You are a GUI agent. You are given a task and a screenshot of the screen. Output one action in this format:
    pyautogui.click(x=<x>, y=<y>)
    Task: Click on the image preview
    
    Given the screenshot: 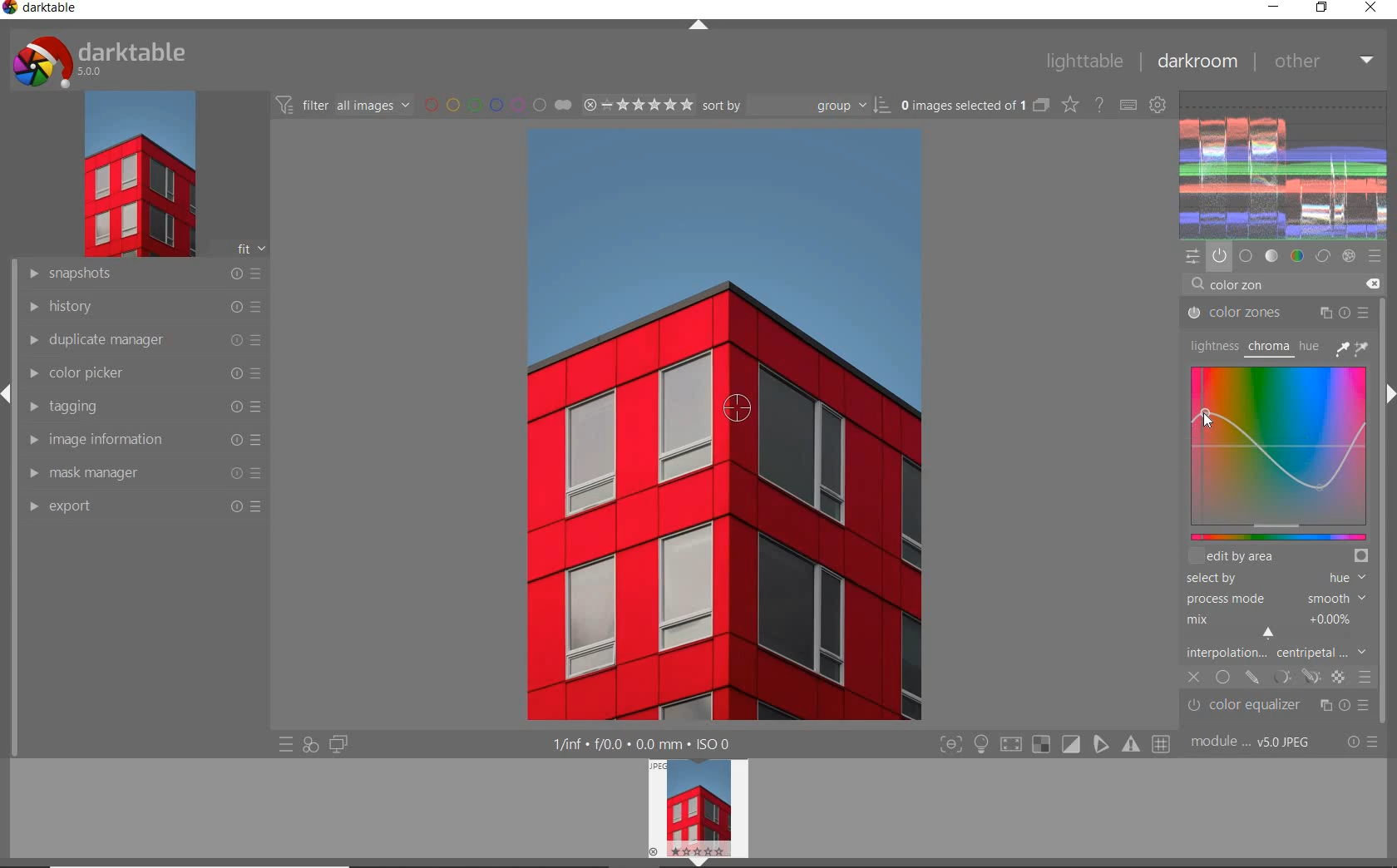 What is the action you would take?
    pyautogui.click(x=694, y=806)
    